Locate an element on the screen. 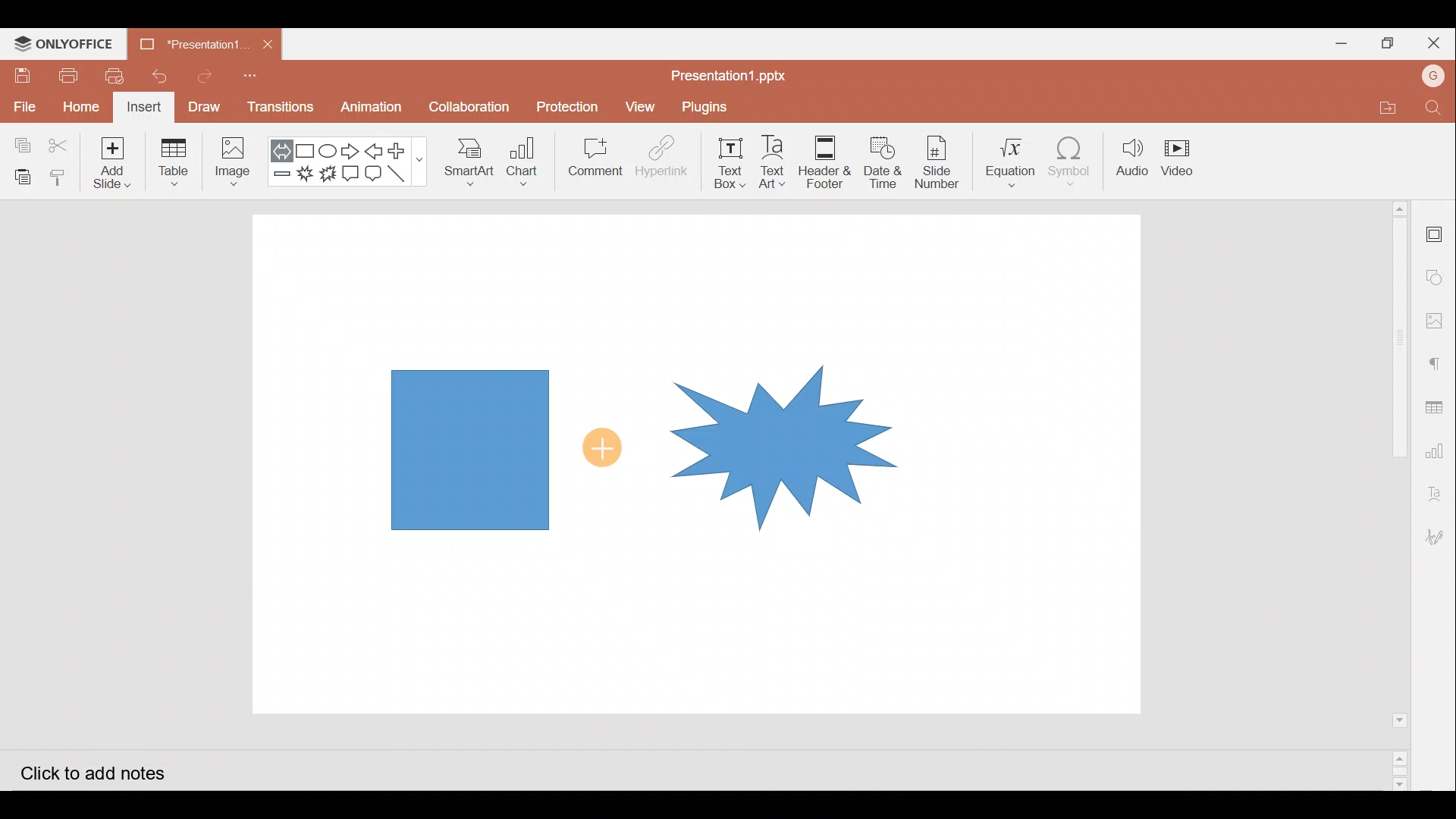  Print file is located at coordinates (65, 75).